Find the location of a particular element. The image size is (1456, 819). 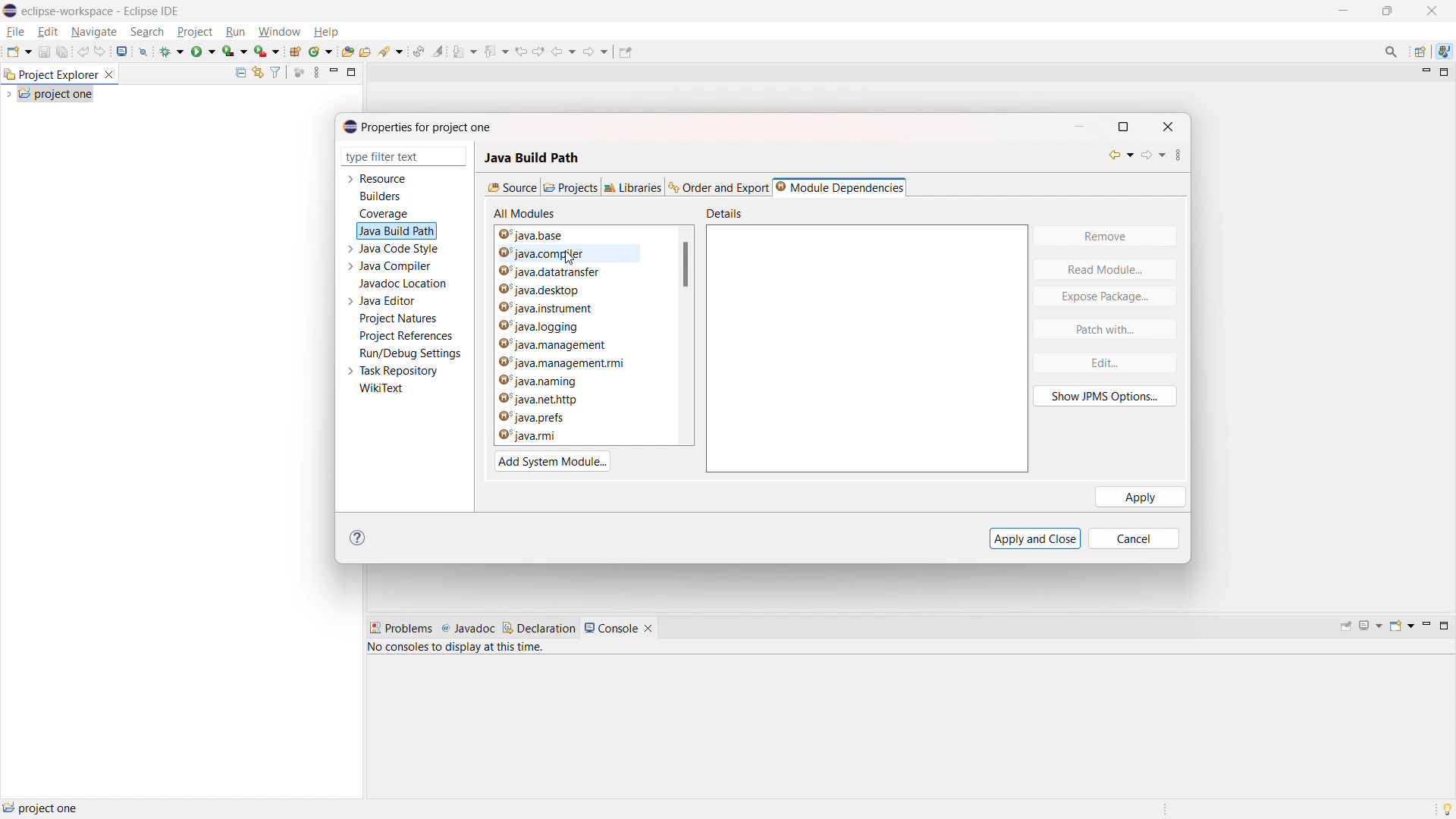

cancel is located at coordinates (1141, 538).